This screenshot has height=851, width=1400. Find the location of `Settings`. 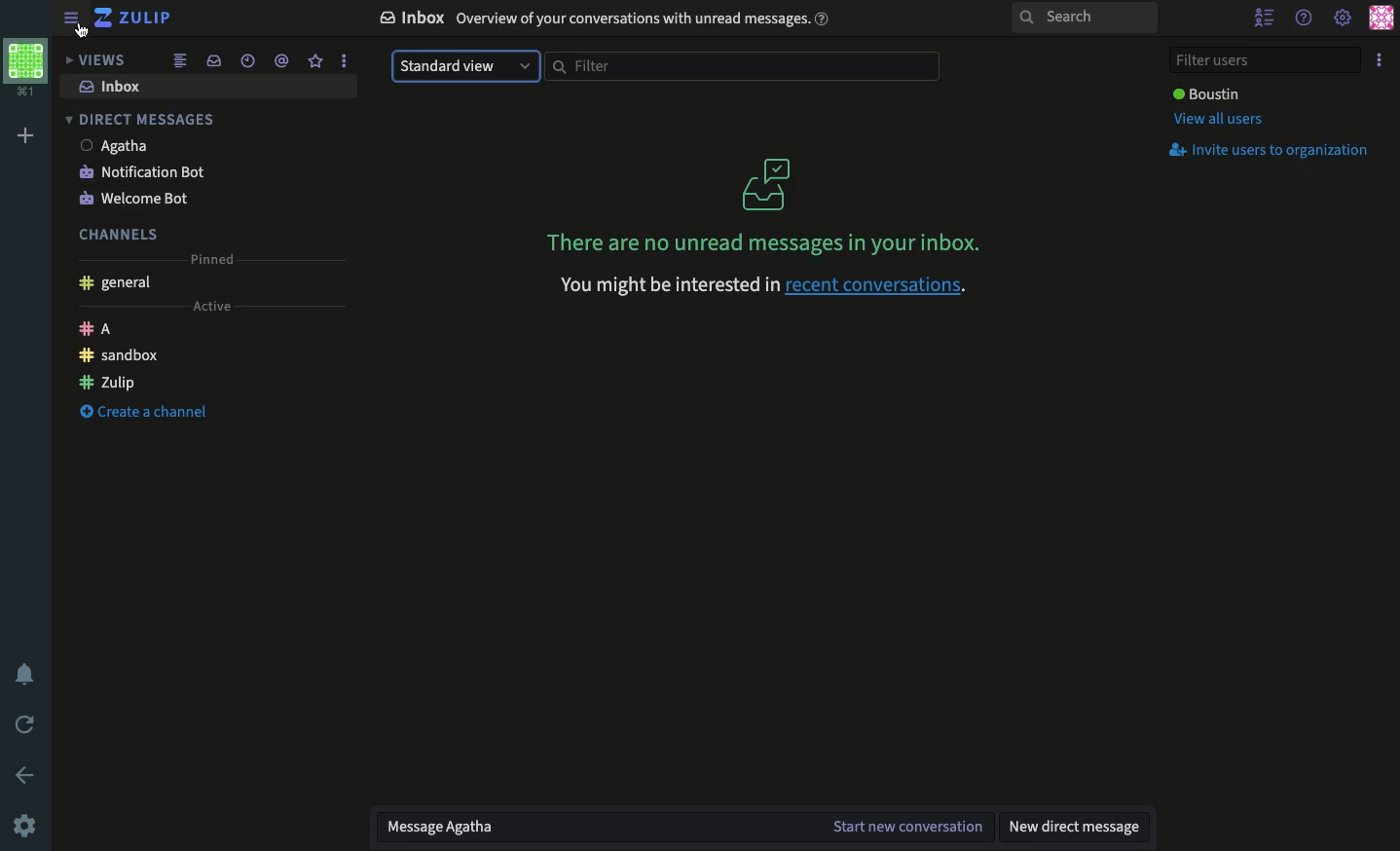

Settings is located at coordinates (1345, 18).